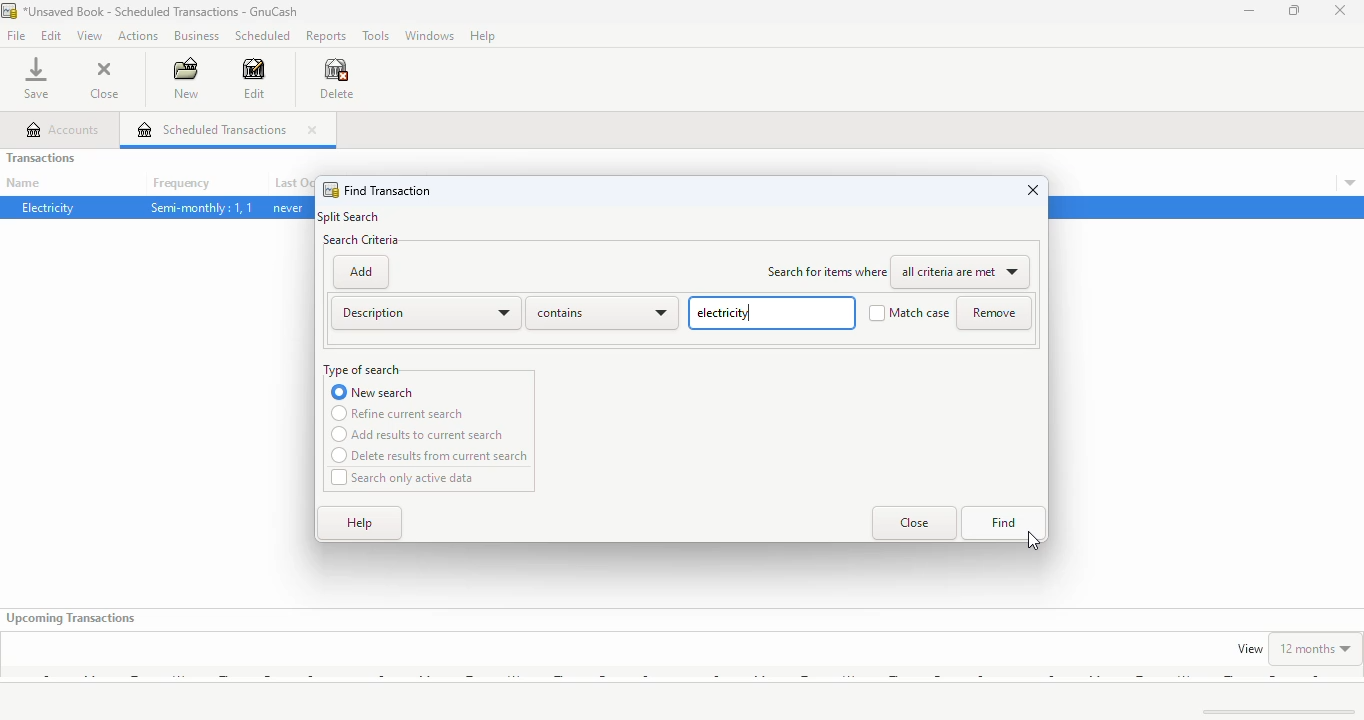  What do you see at coordinates (36, 78) in the screenshot?
I see `save` at bounding box center [36, 78].